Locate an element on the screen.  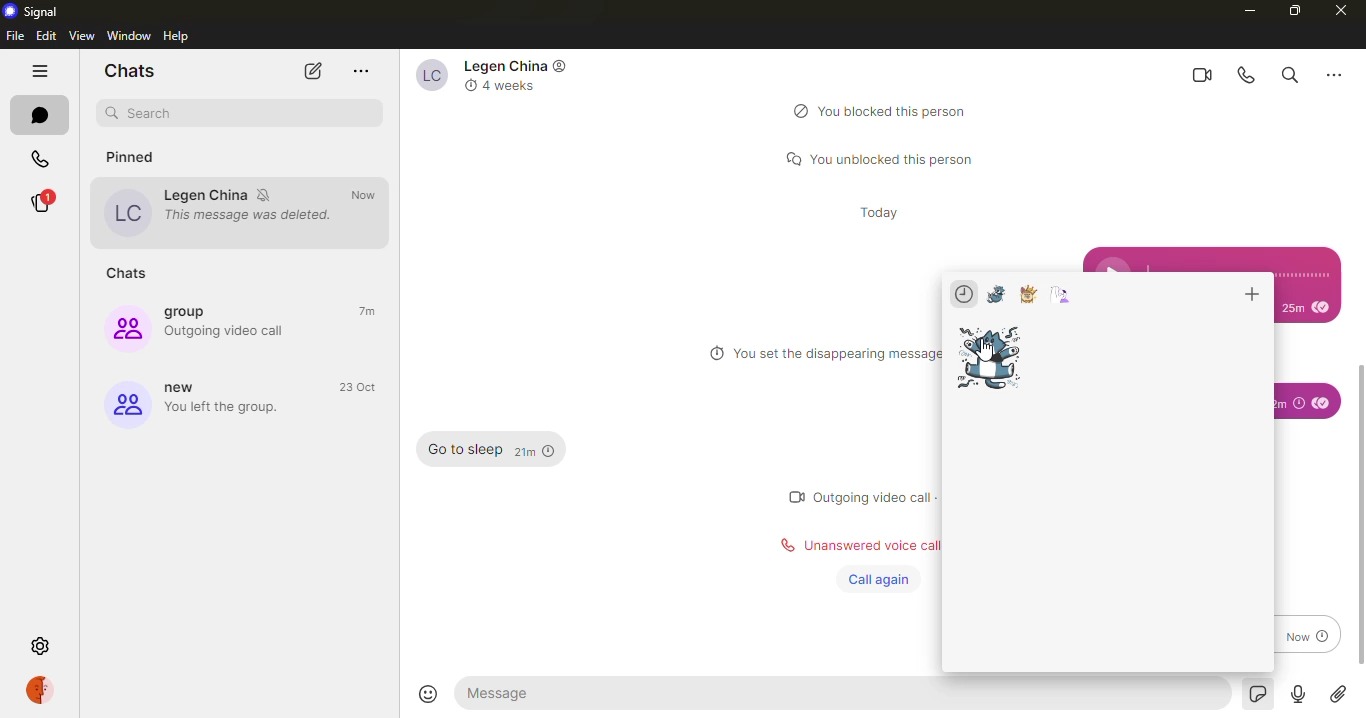
help is located at coordinates (178, 36).